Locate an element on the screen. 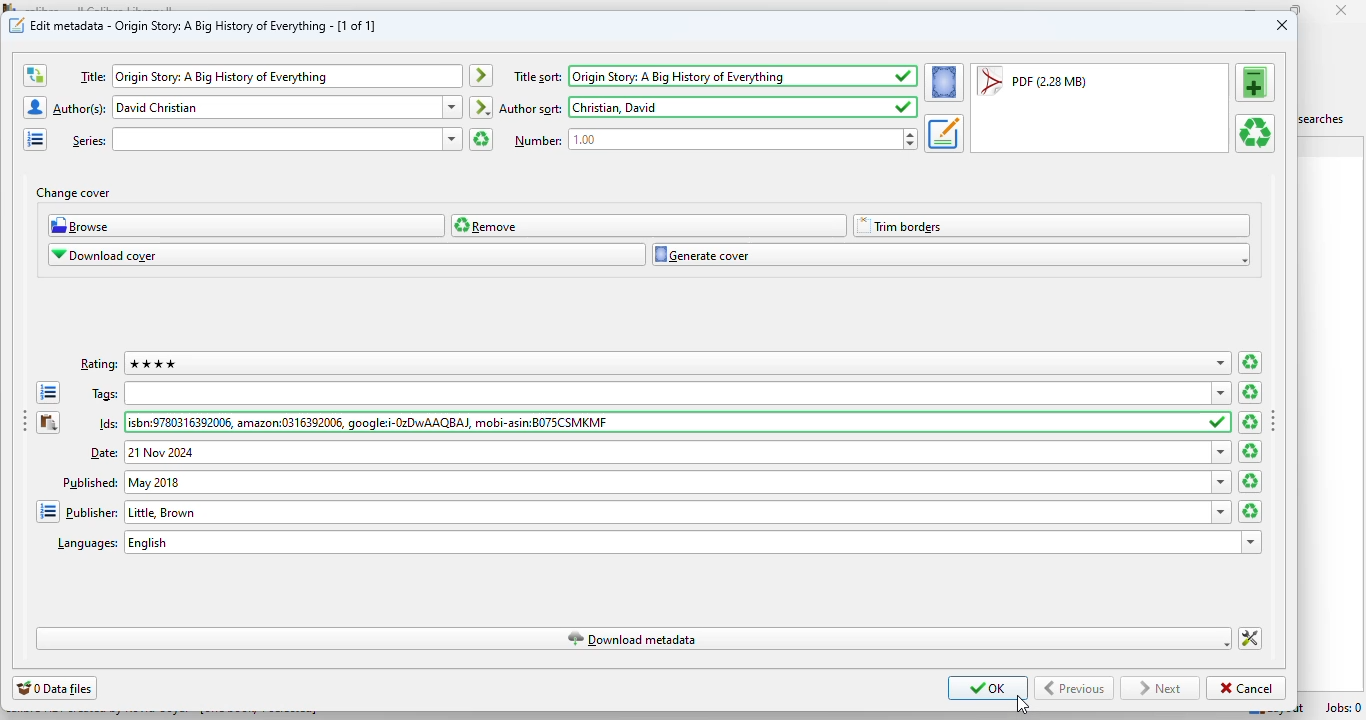 The width and height of the screenshot is (1366, 720). clear rating is located at coordinates (1250, 362).